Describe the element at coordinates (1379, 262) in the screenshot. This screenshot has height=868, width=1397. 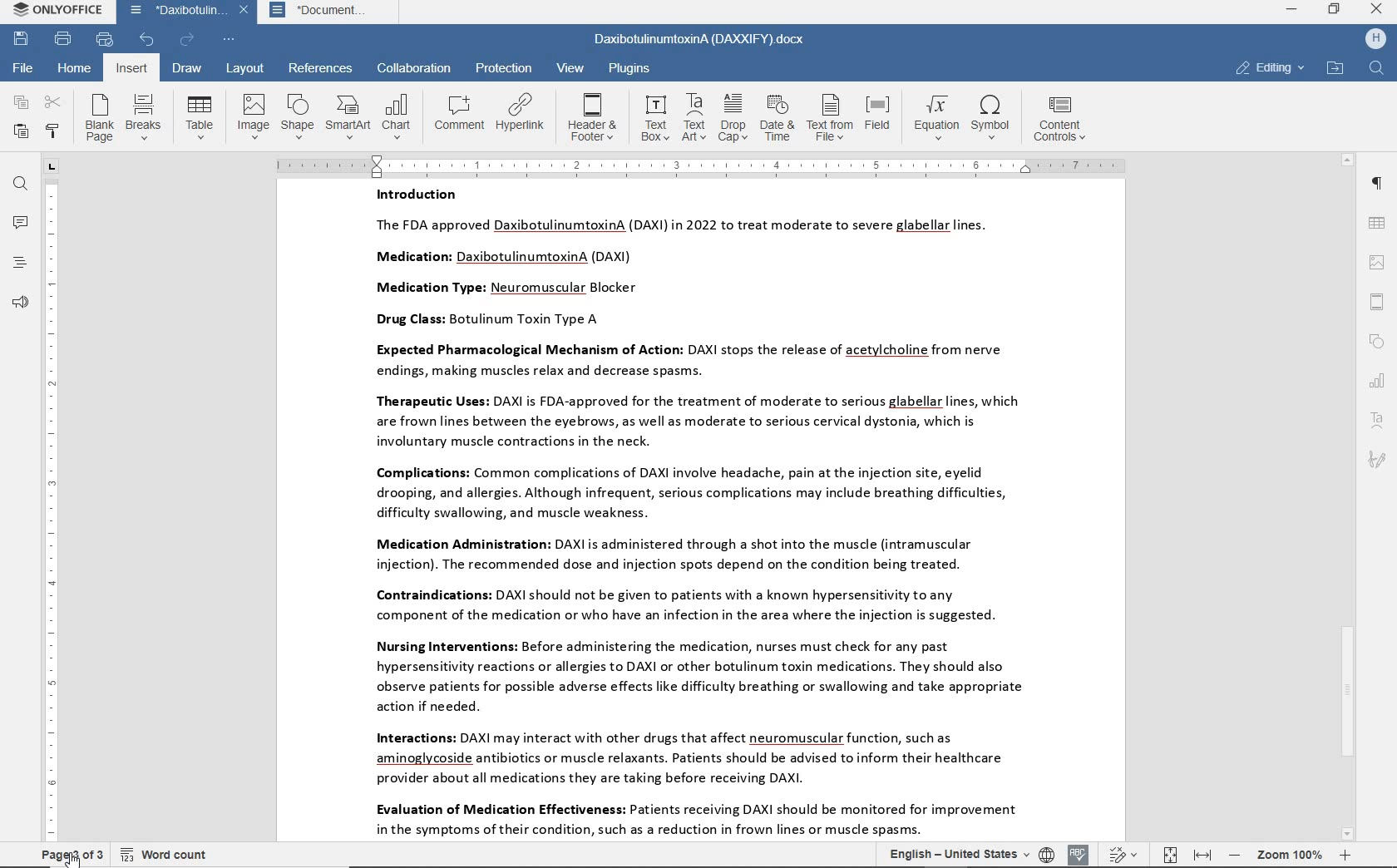
I see `image` at that location.